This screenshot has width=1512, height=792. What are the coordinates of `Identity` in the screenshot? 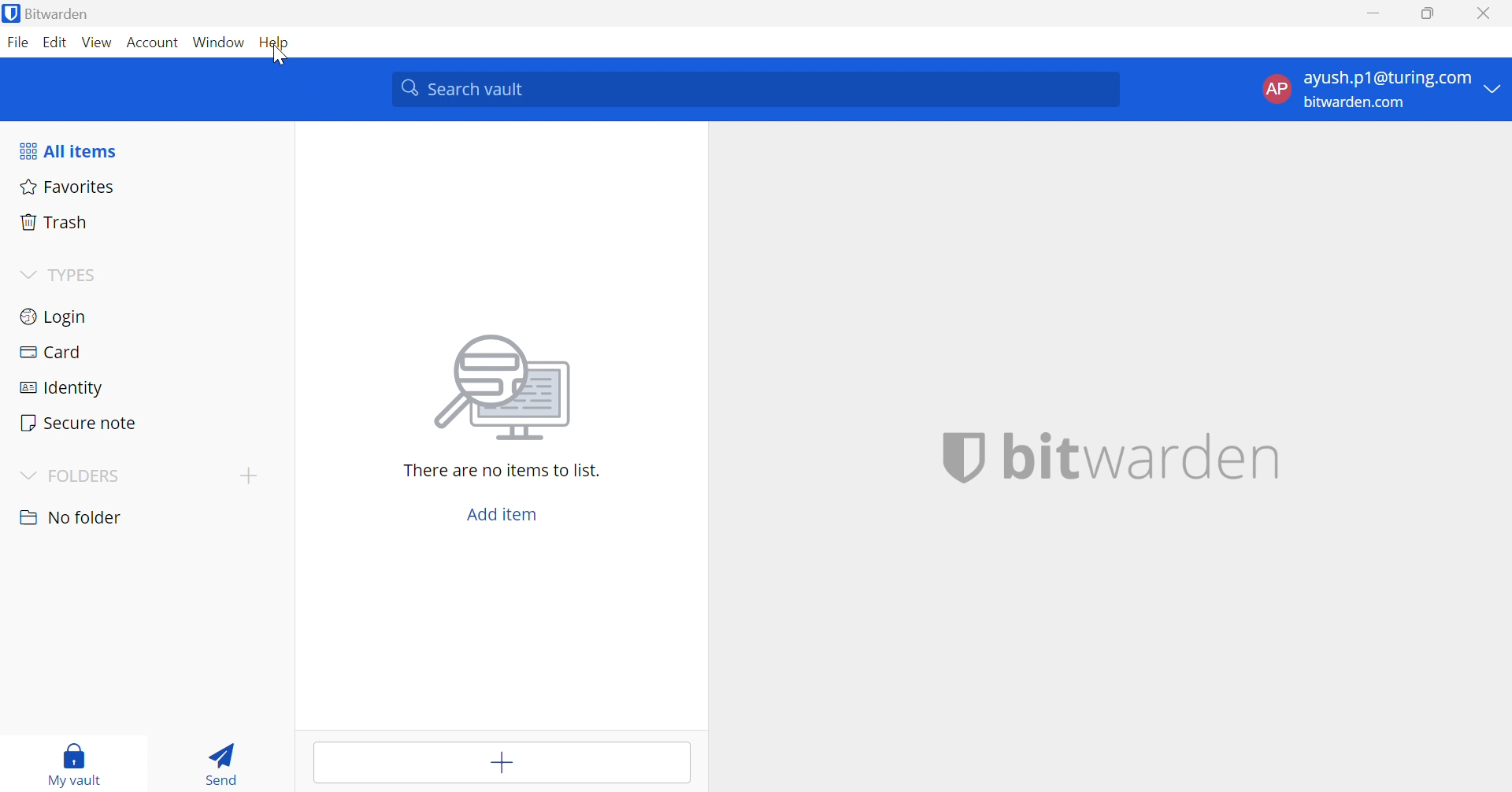 It's located at (143, 387).